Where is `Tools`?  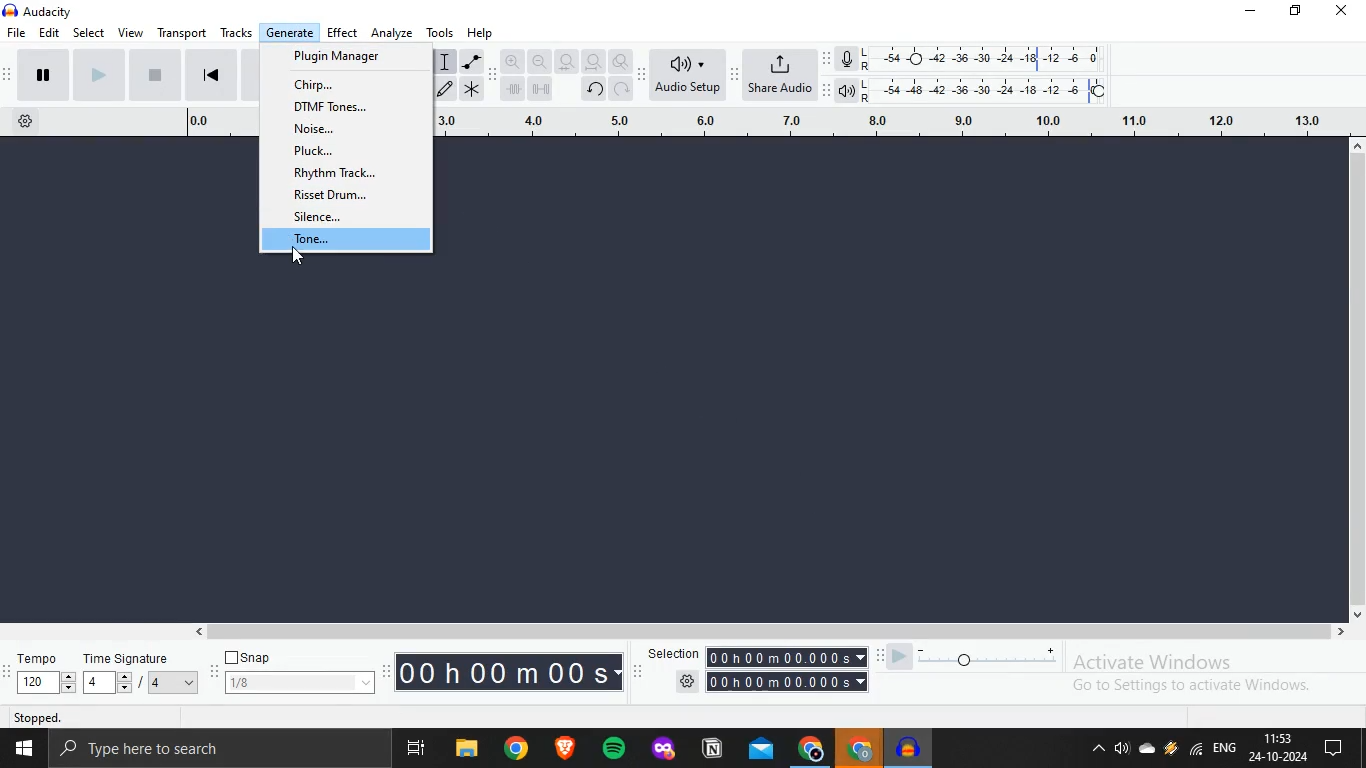 Tools is located at coordinates (441, 31).